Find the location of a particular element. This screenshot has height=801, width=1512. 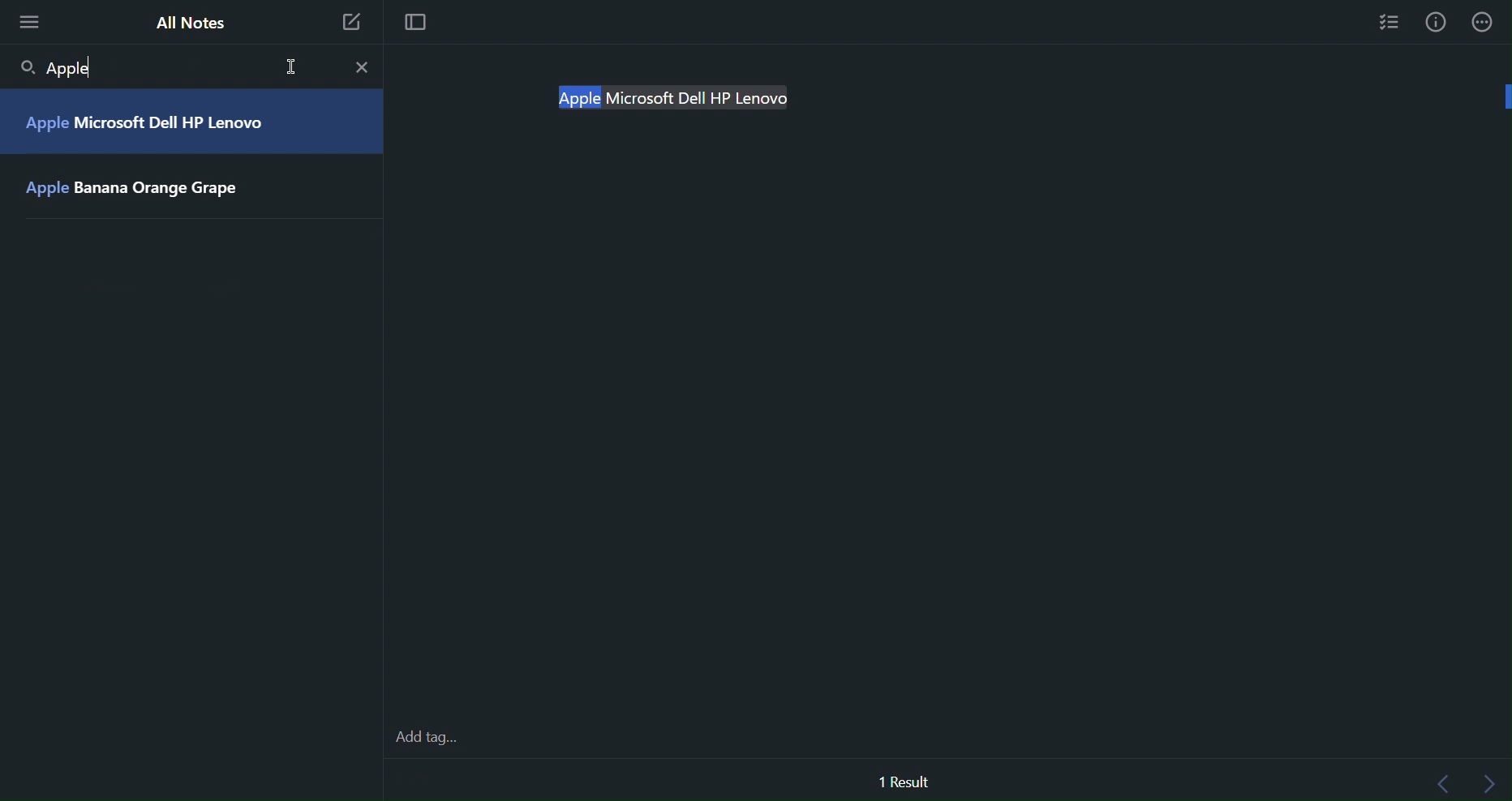

Apple | is located at coordinates (48, 126).